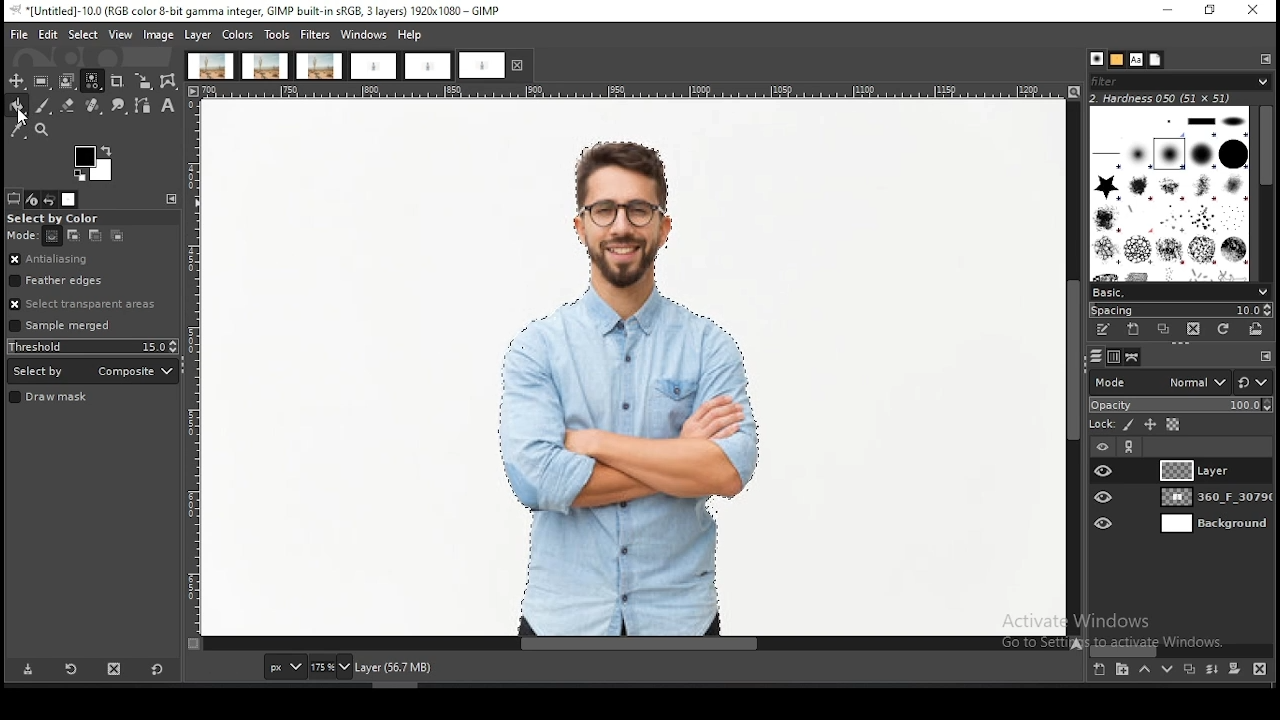  What do you see at coordinates (94, 236) in the screenshot?
I see `subtract from the current selection` at bounding box center [94, 236].